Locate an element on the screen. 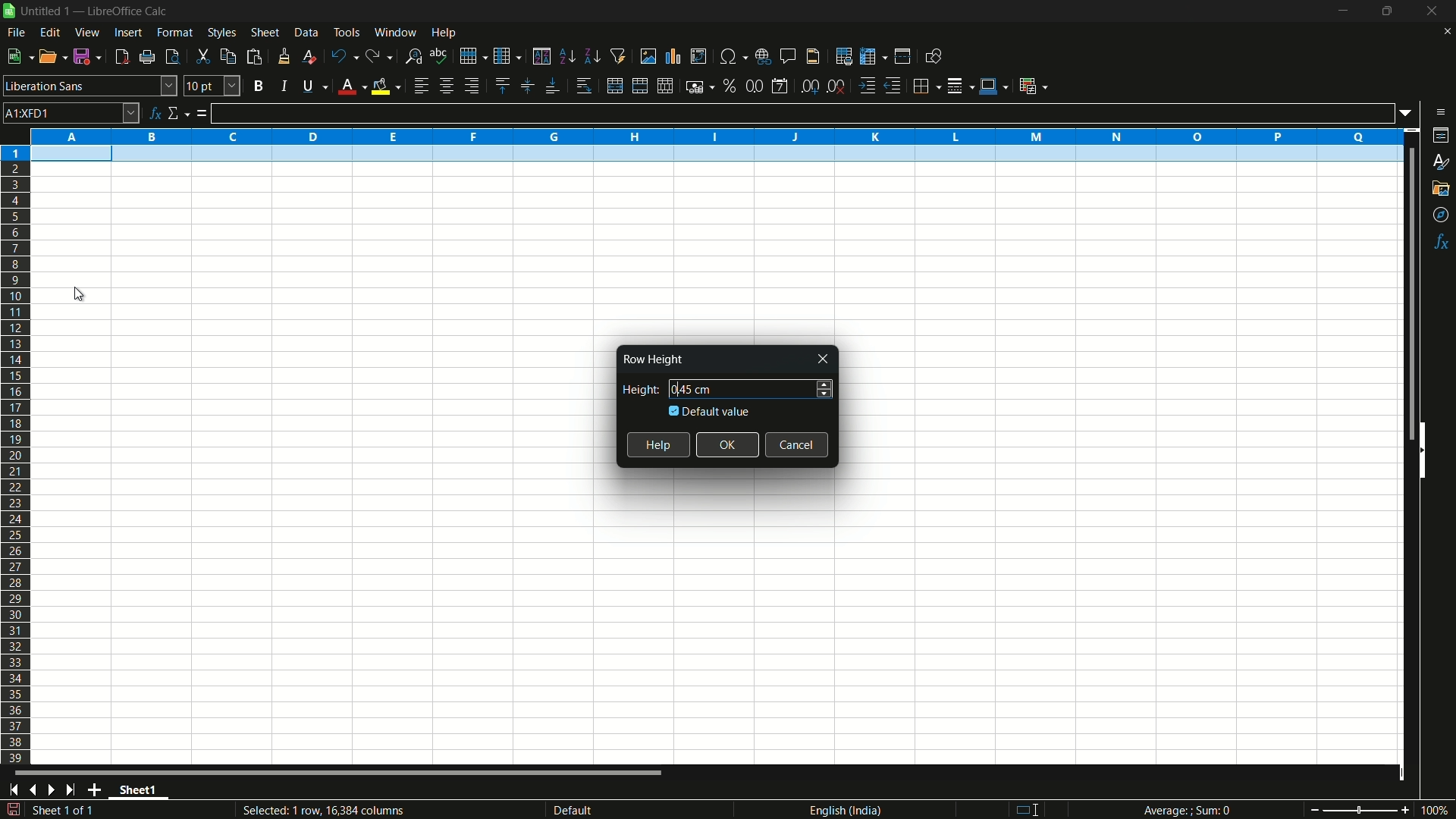 This screenshot has width=1456, height=819. styles menu is located at coordinates (222, 33).